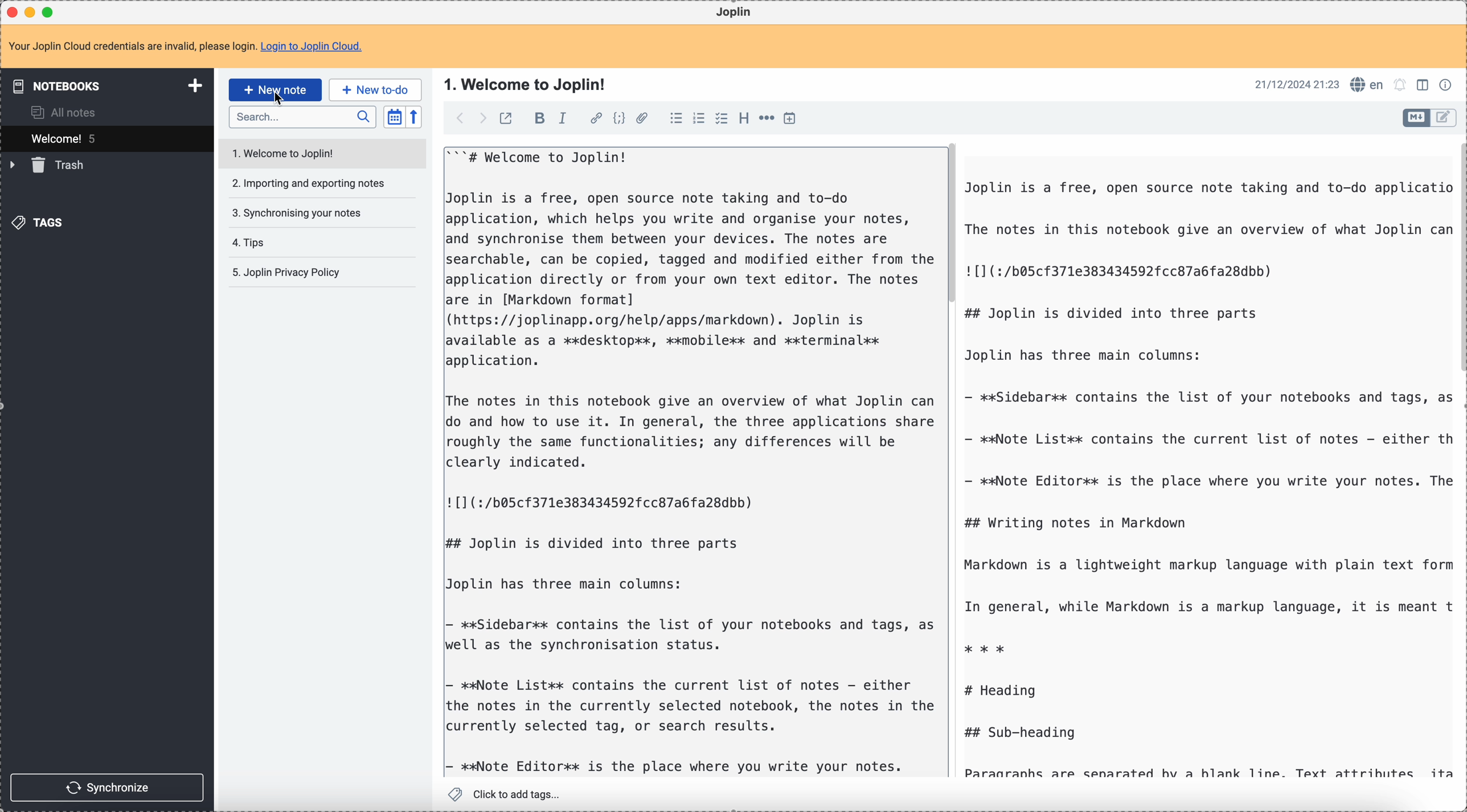 This screenshot has height=812, width=1467. Describe the element at coordinates (539, 120) in the screenshot. I see `bold` at that location.